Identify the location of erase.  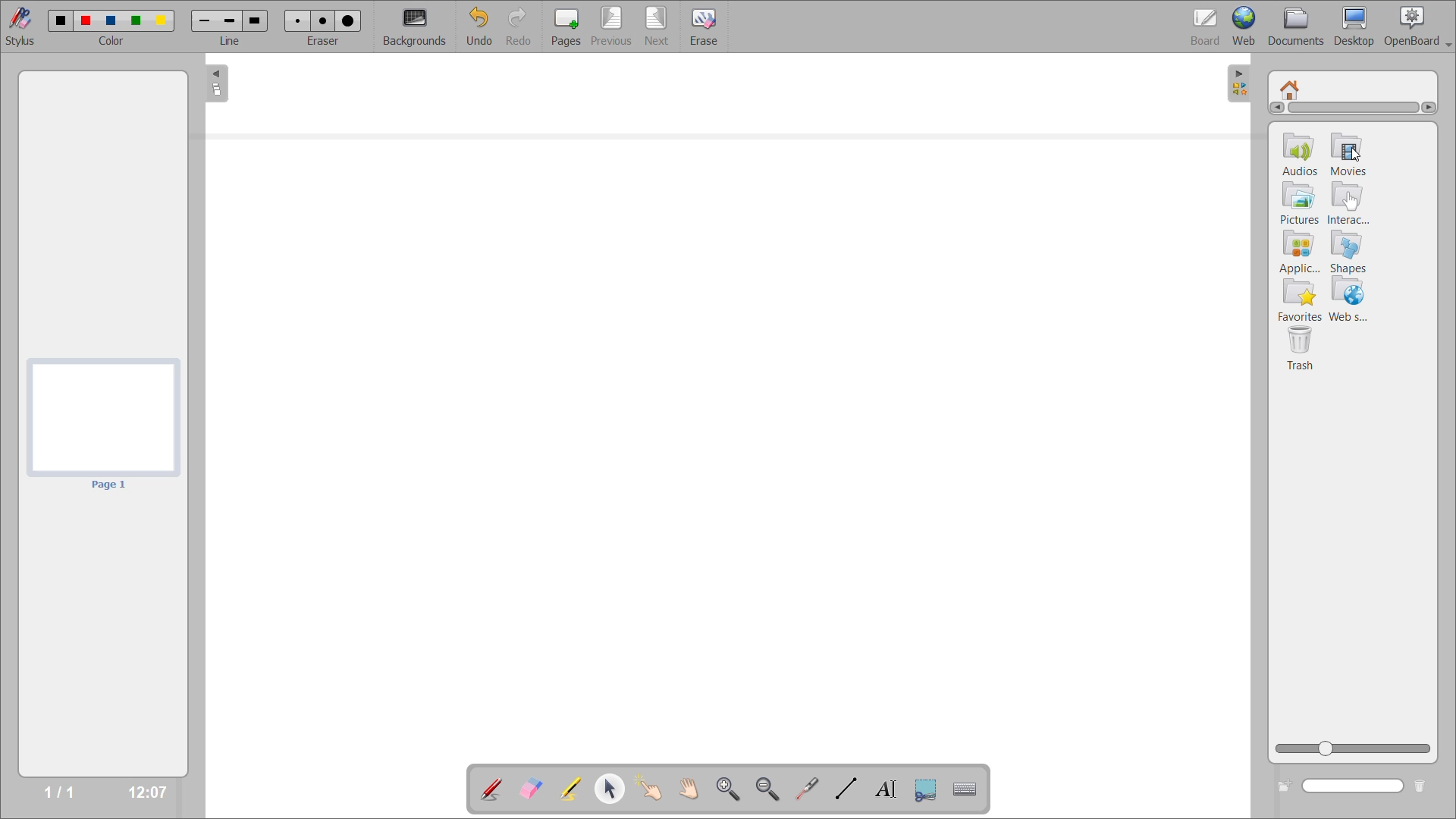
(705, 28).